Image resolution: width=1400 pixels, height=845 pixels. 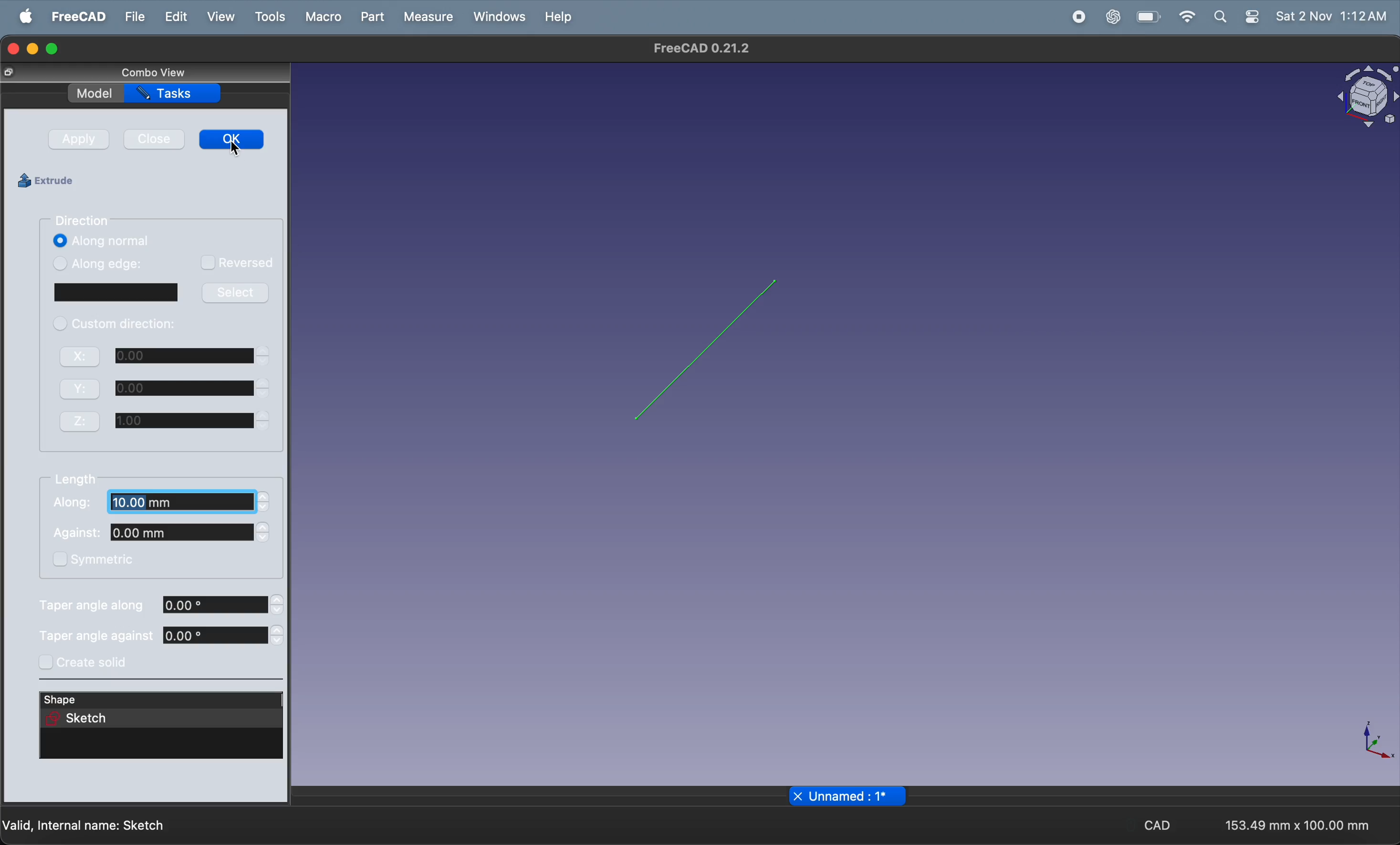 I want to click on Sat 2 Nov 1:11AM, so click(x=1332, y=16).